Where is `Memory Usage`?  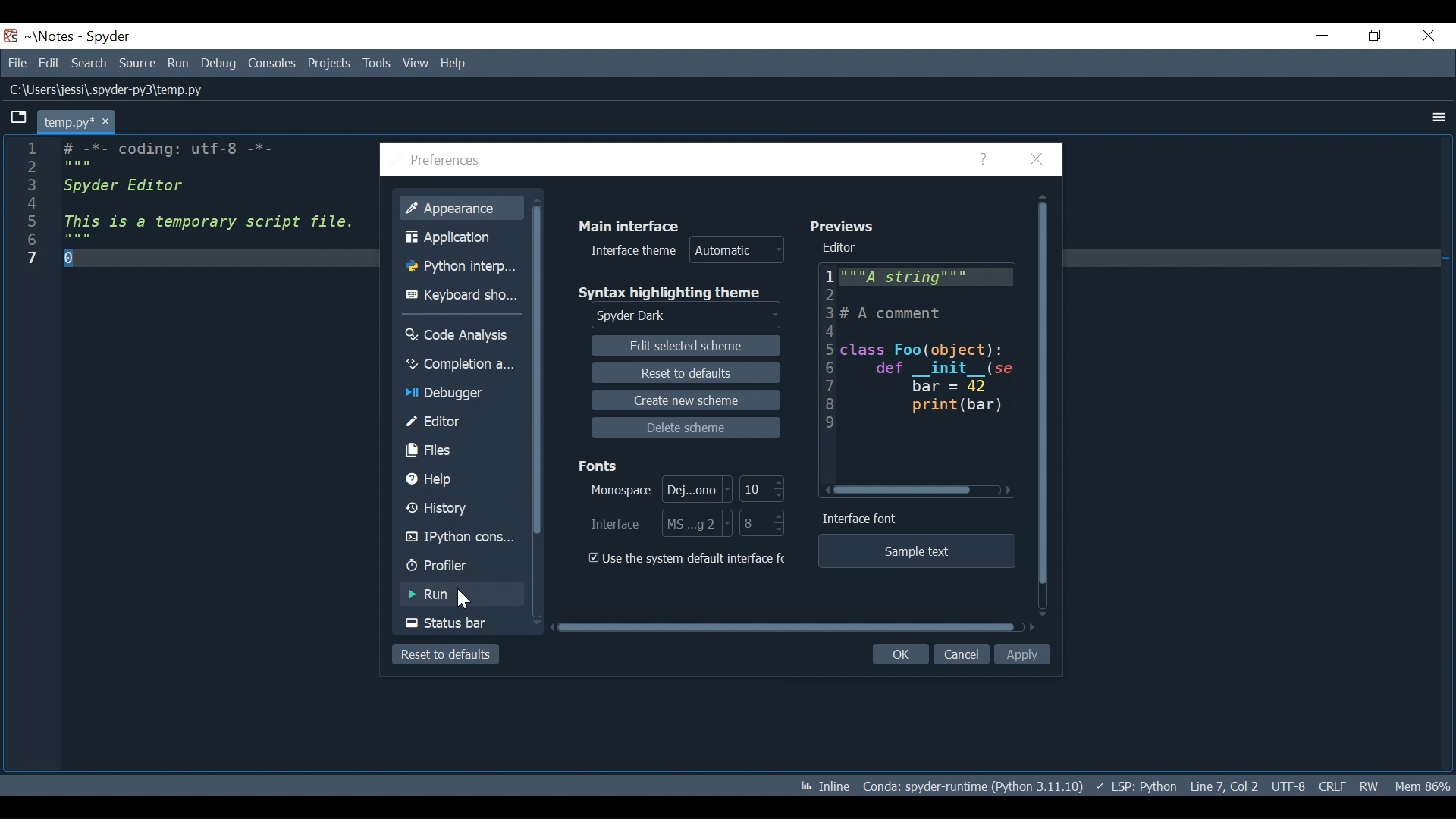
Memory Usage is located at coordinates (1425, 784).